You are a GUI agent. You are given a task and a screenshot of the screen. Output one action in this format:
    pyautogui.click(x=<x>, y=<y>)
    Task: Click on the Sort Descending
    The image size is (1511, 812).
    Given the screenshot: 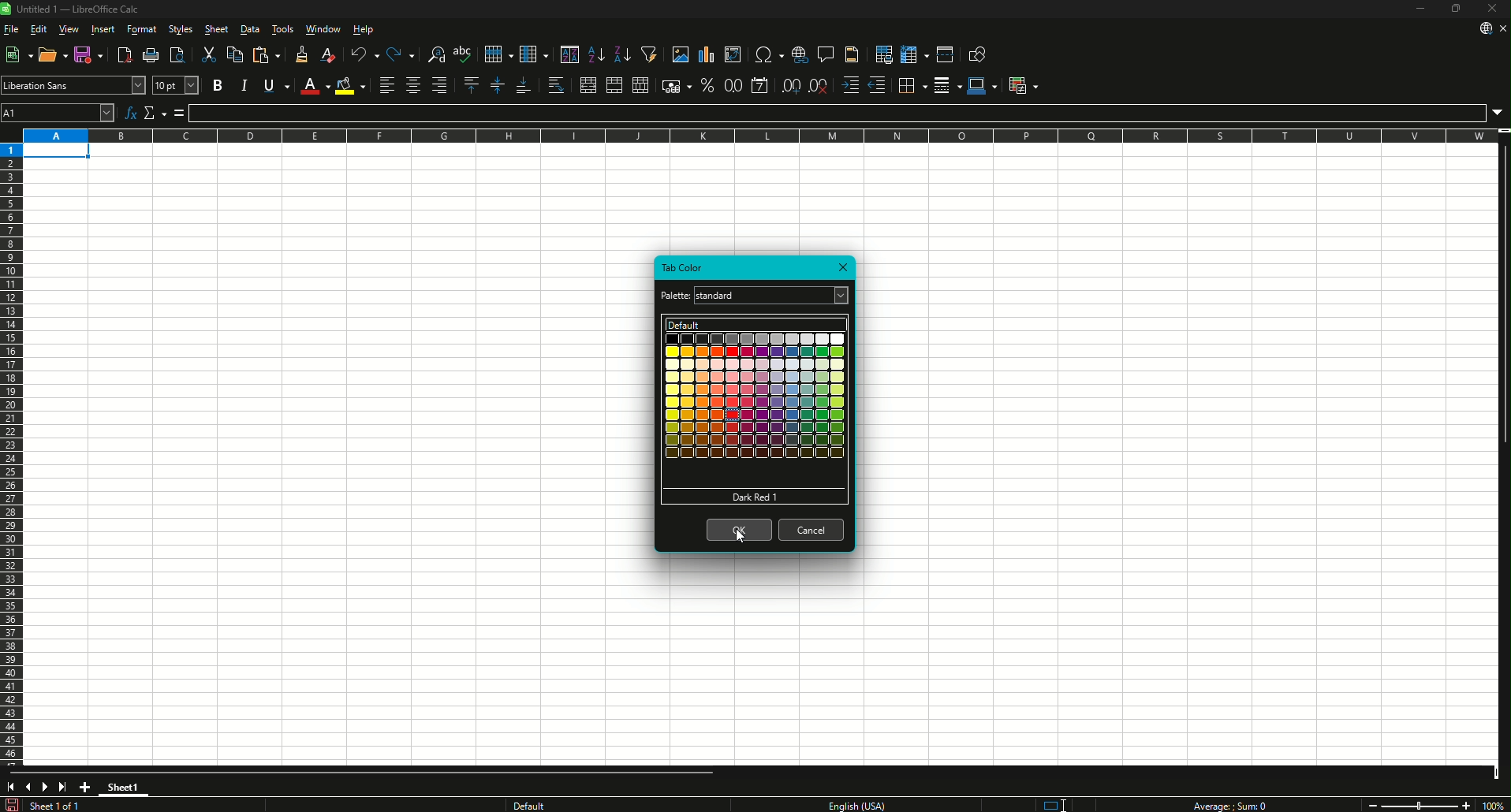 What is the action you would take?
    pyautogui.click(x=624, y=54)
    